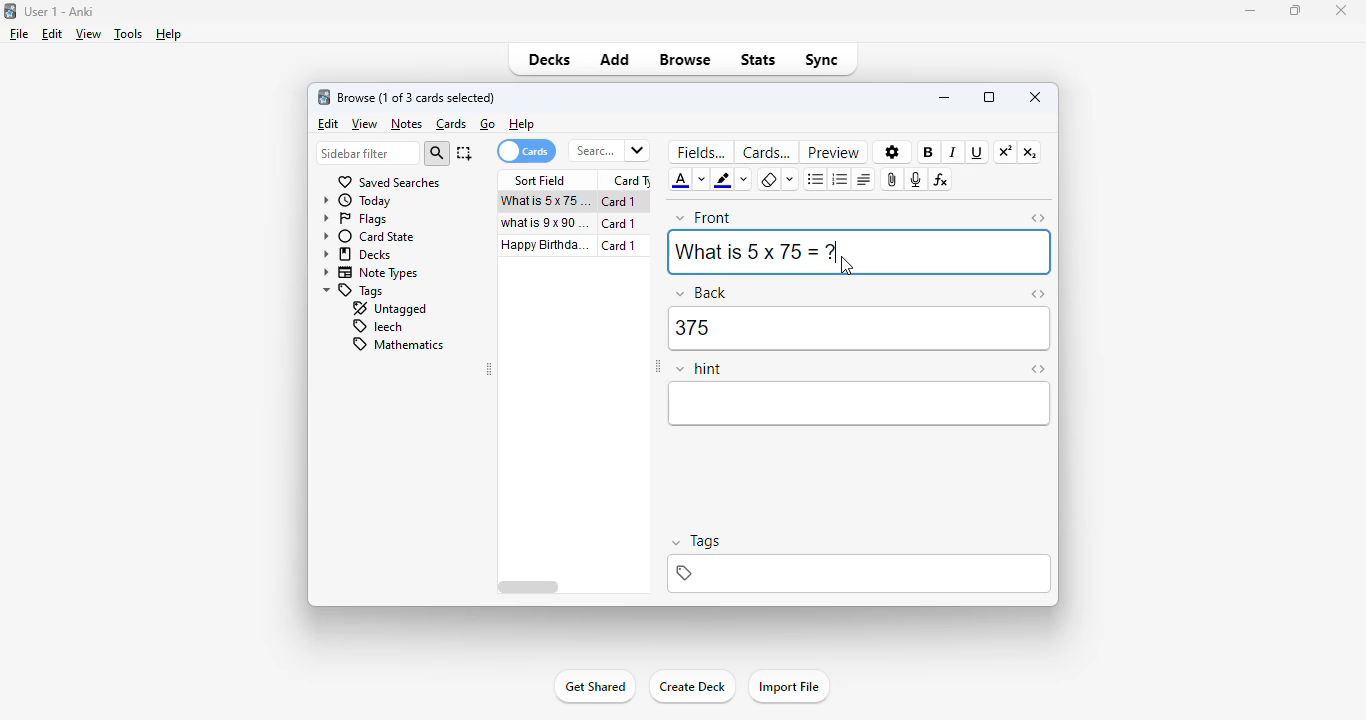  Describe the element at coordinates (770, 179) in the screenshot. I see `remove formatting` at that location.